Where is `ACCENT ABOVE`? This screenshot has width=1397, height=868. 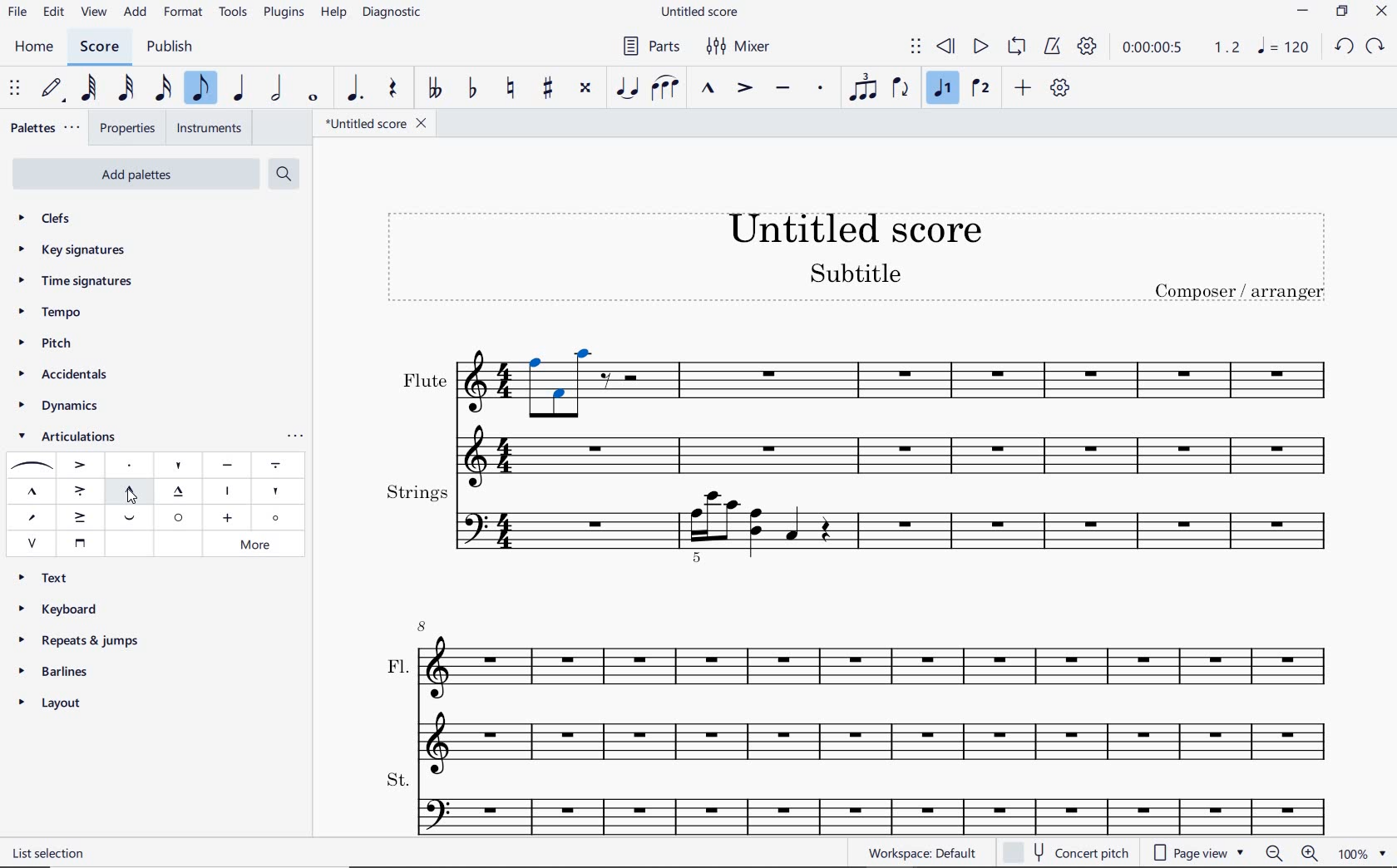
ACCENT ABOVE is located at coordinates (81, 463).